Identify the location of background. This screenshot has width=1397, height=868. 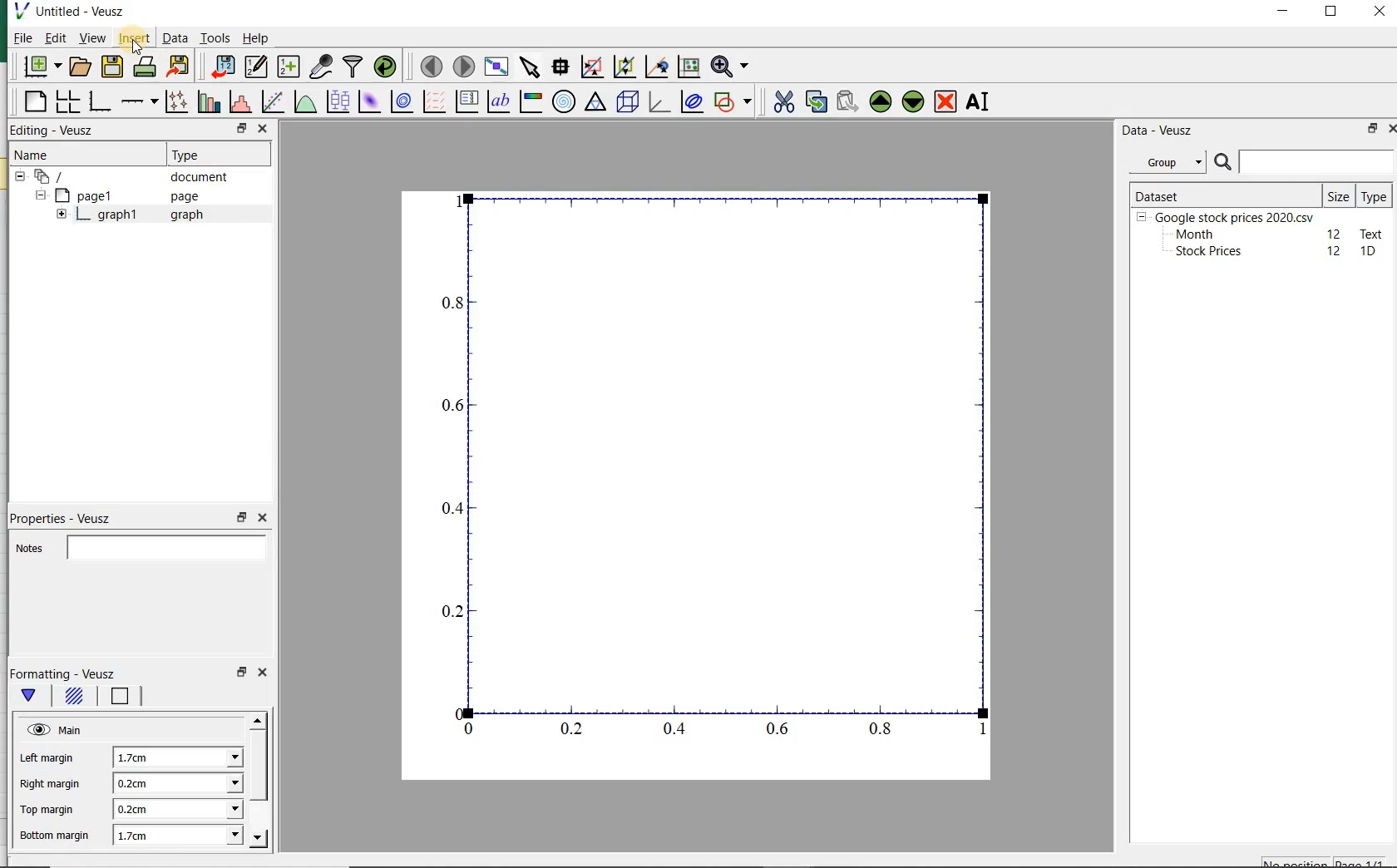
(74, 698).